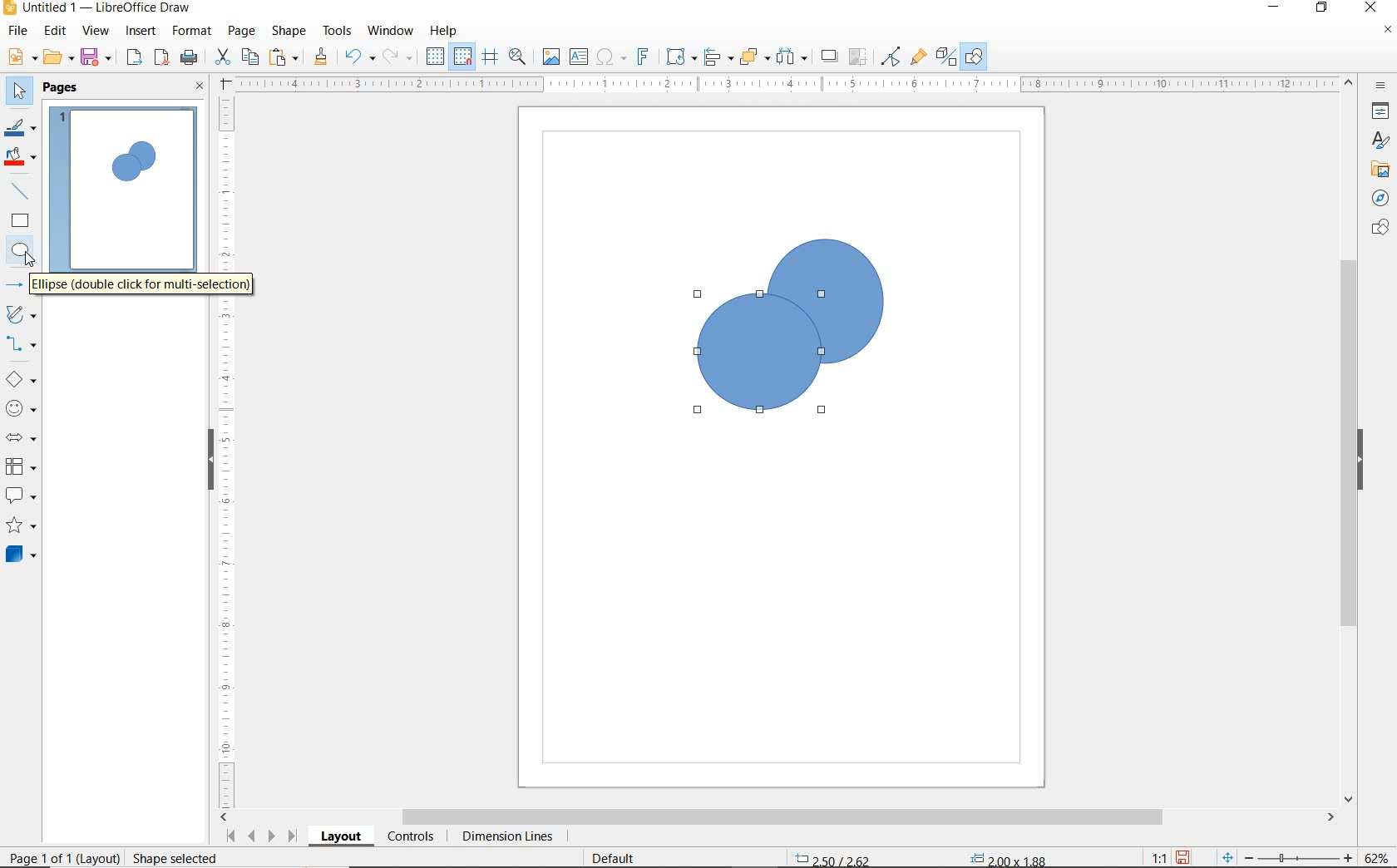  Describe the element at coordinates (208, 457) in the screenshot. I see `HIDE` at that location.